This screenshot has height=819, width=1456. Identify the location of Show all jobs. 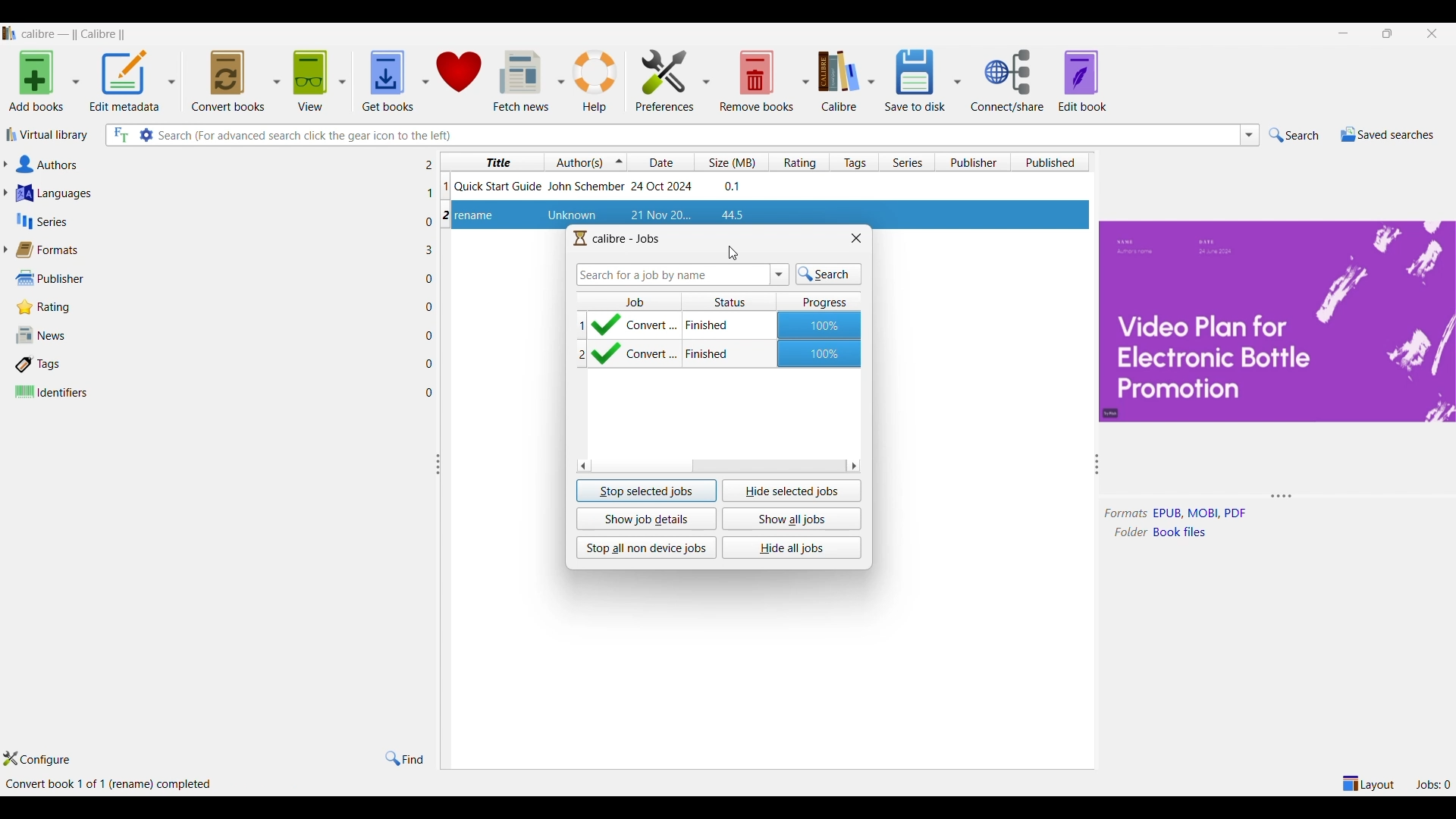
(792, 519).